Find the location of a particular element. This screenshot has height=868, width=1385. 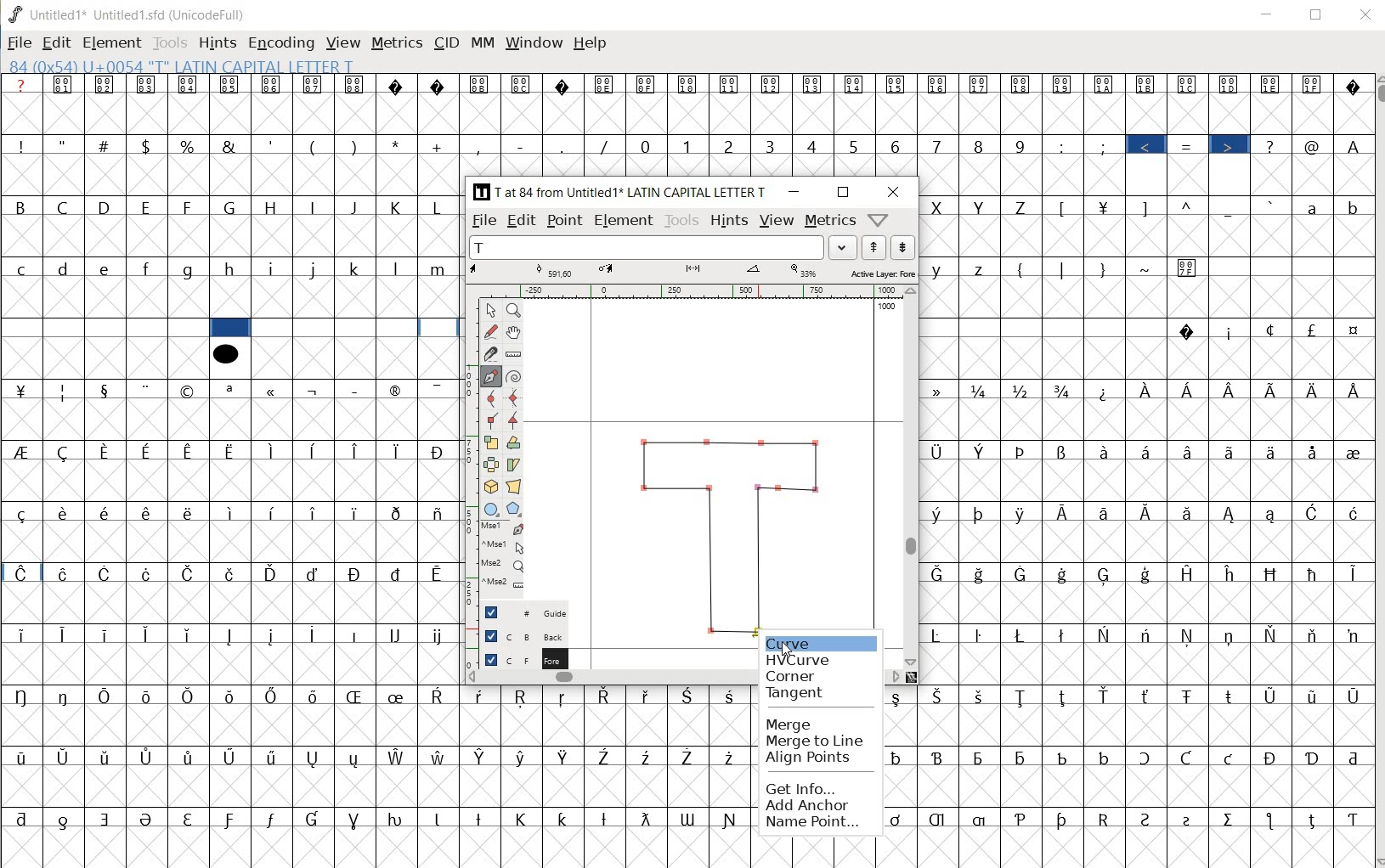

Symbol is located at coordinates (314, 573).